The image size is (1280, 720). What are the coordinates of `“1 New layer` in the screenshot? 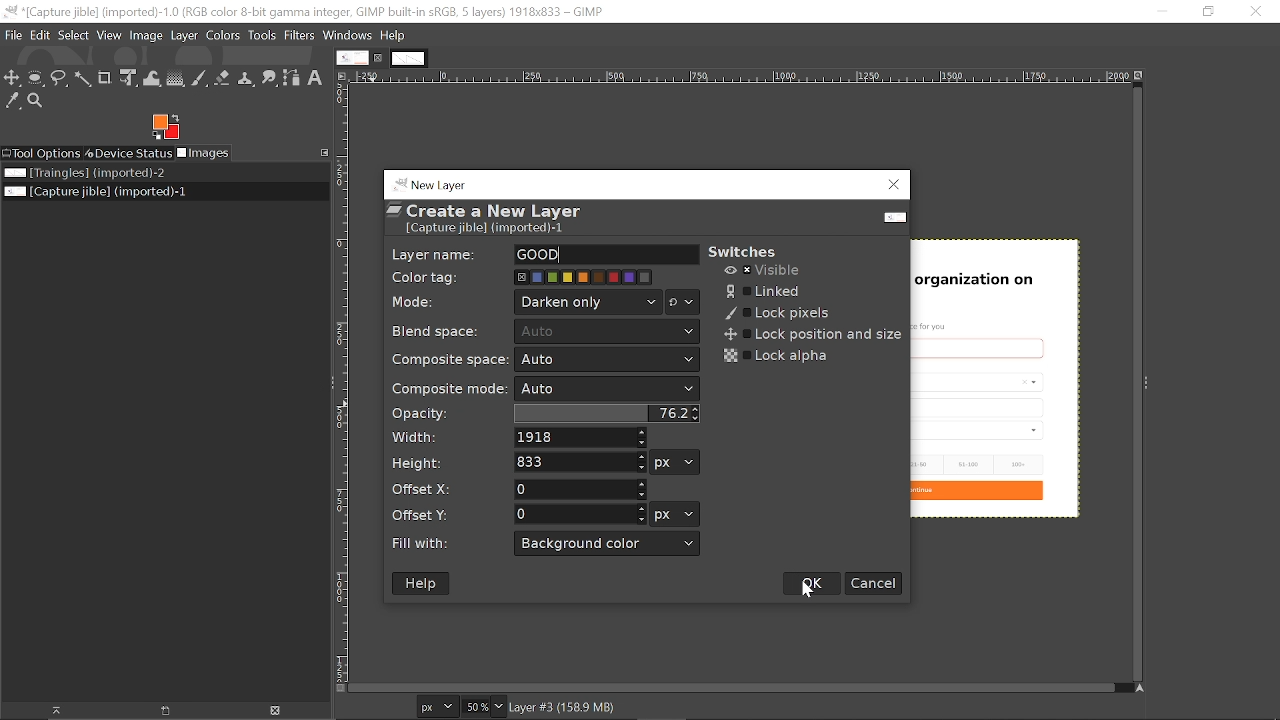 It's located at (442, 183).